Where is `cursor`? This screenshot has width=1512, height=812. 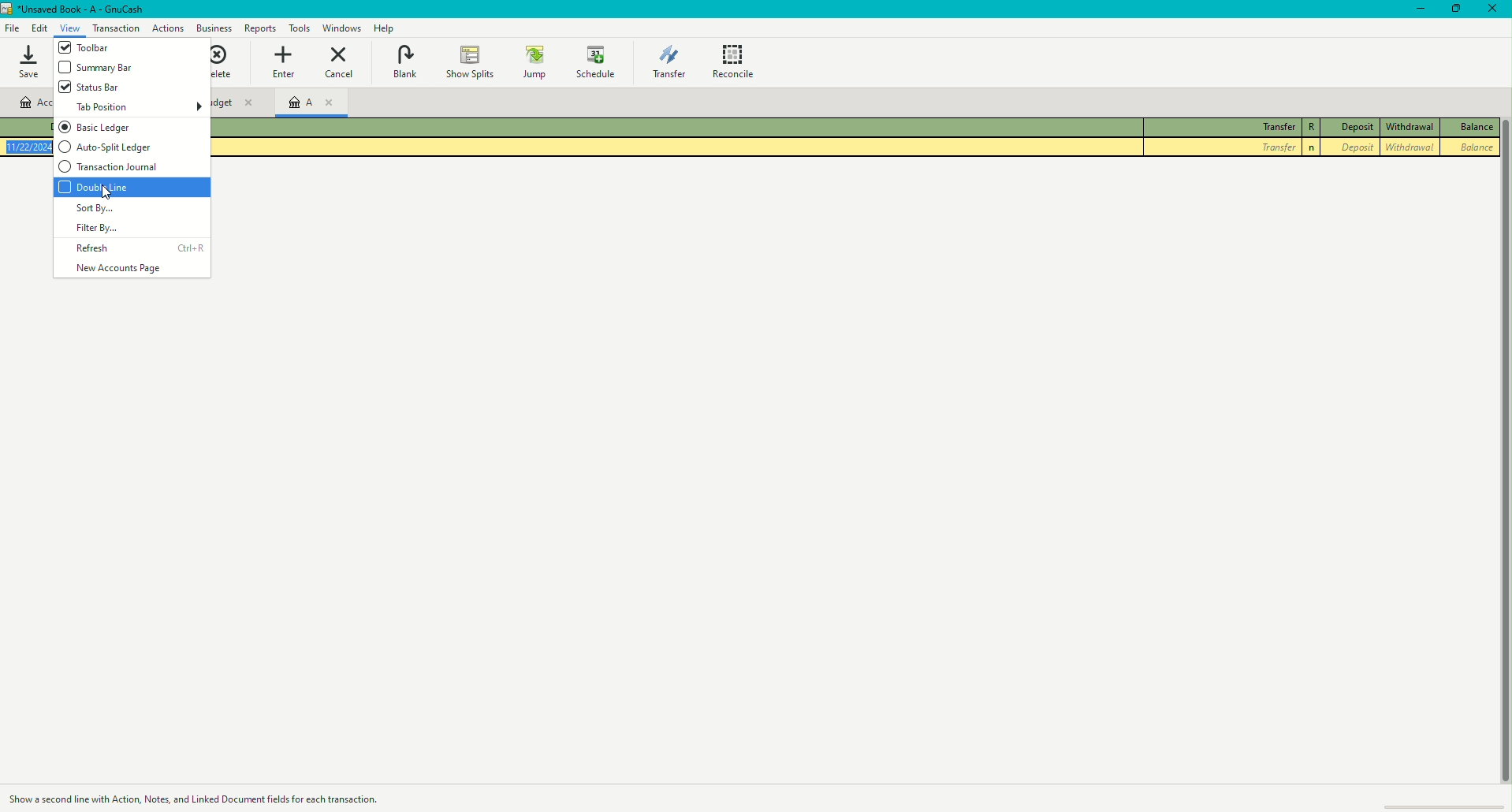 cursor is located at coordinates (105, 192).